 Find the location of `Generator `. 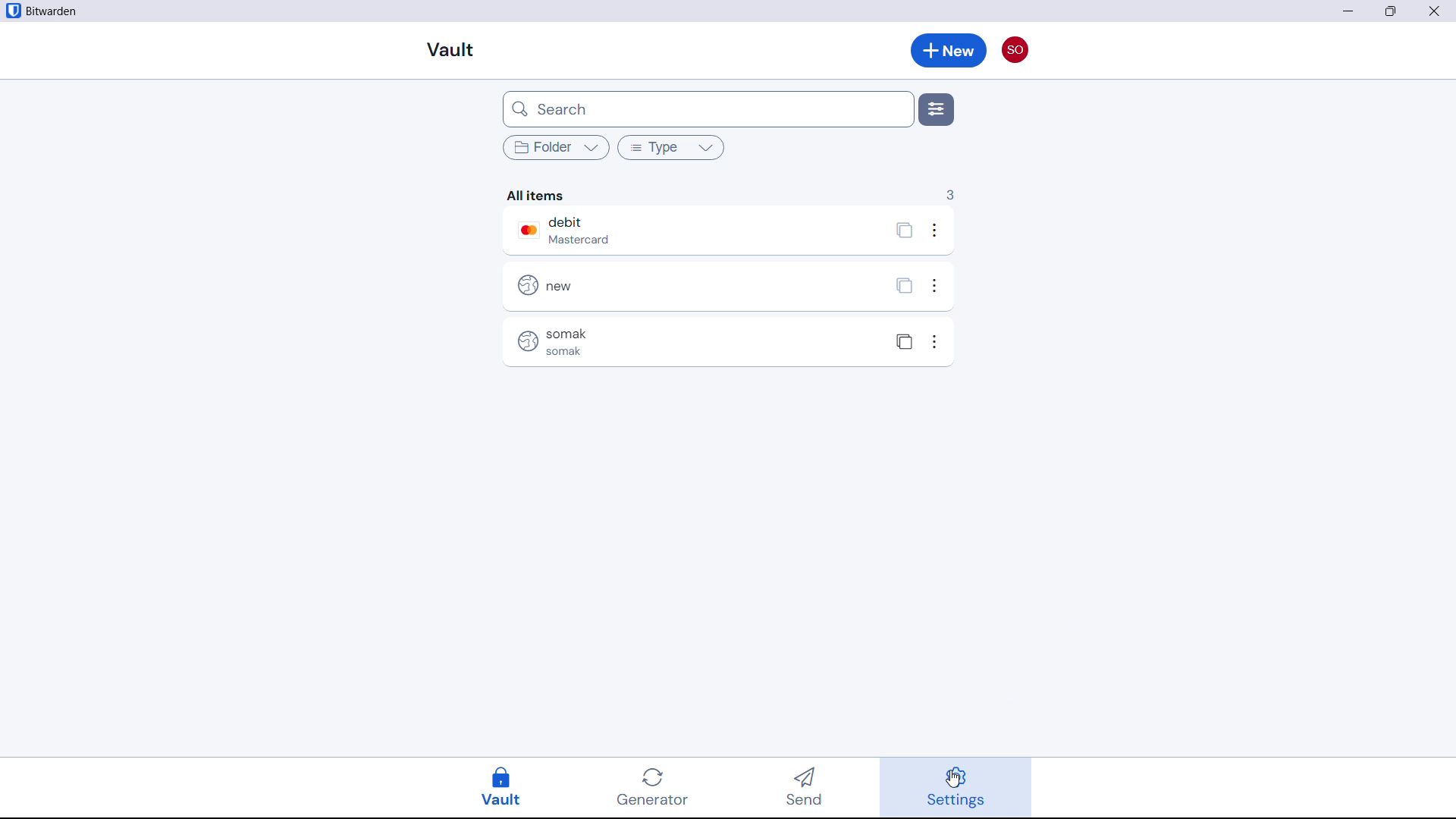

Generator  is located at coordinates (661, 787).